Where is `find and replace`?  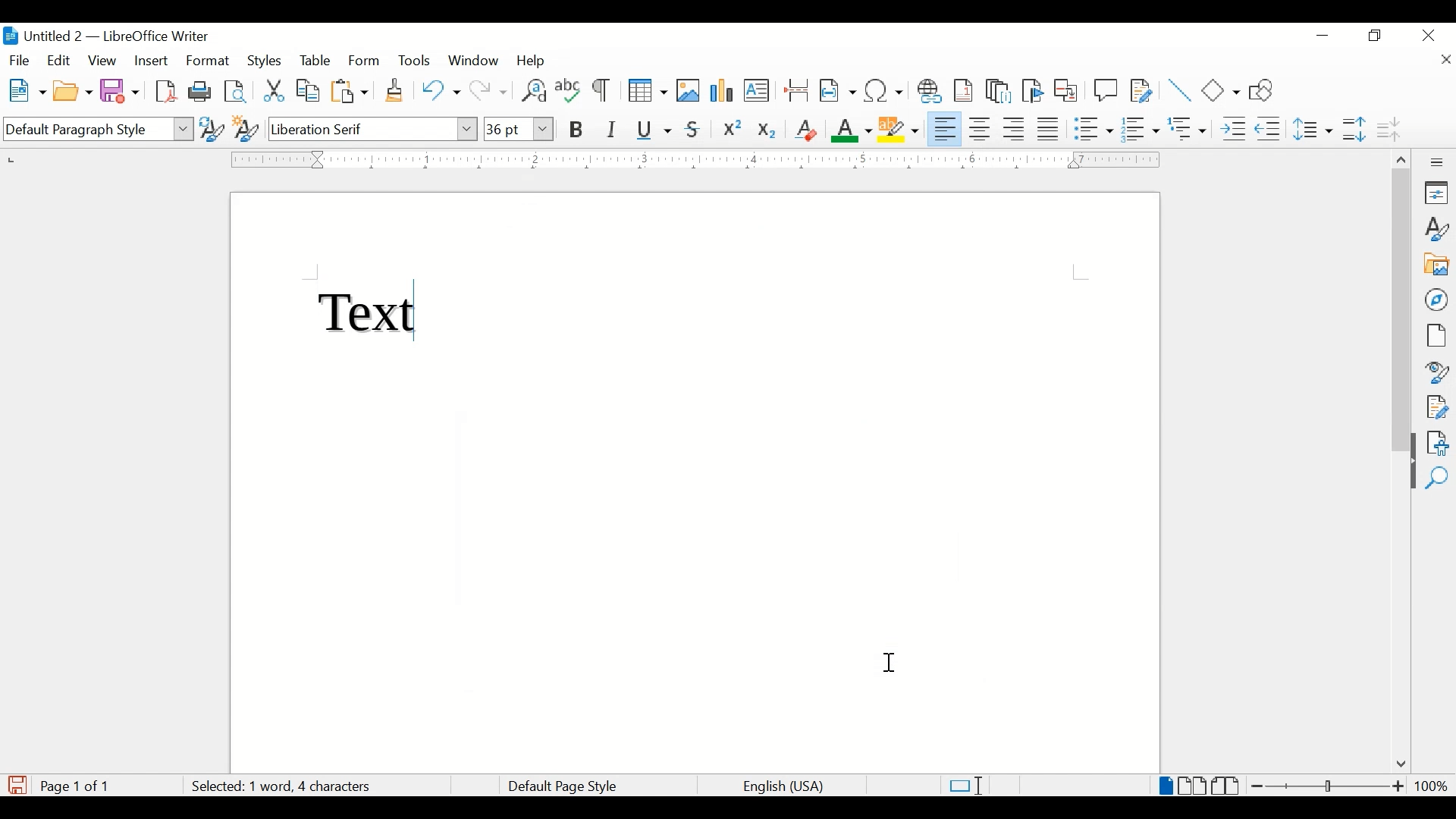
find and replace is located at coordinates (532, 90).